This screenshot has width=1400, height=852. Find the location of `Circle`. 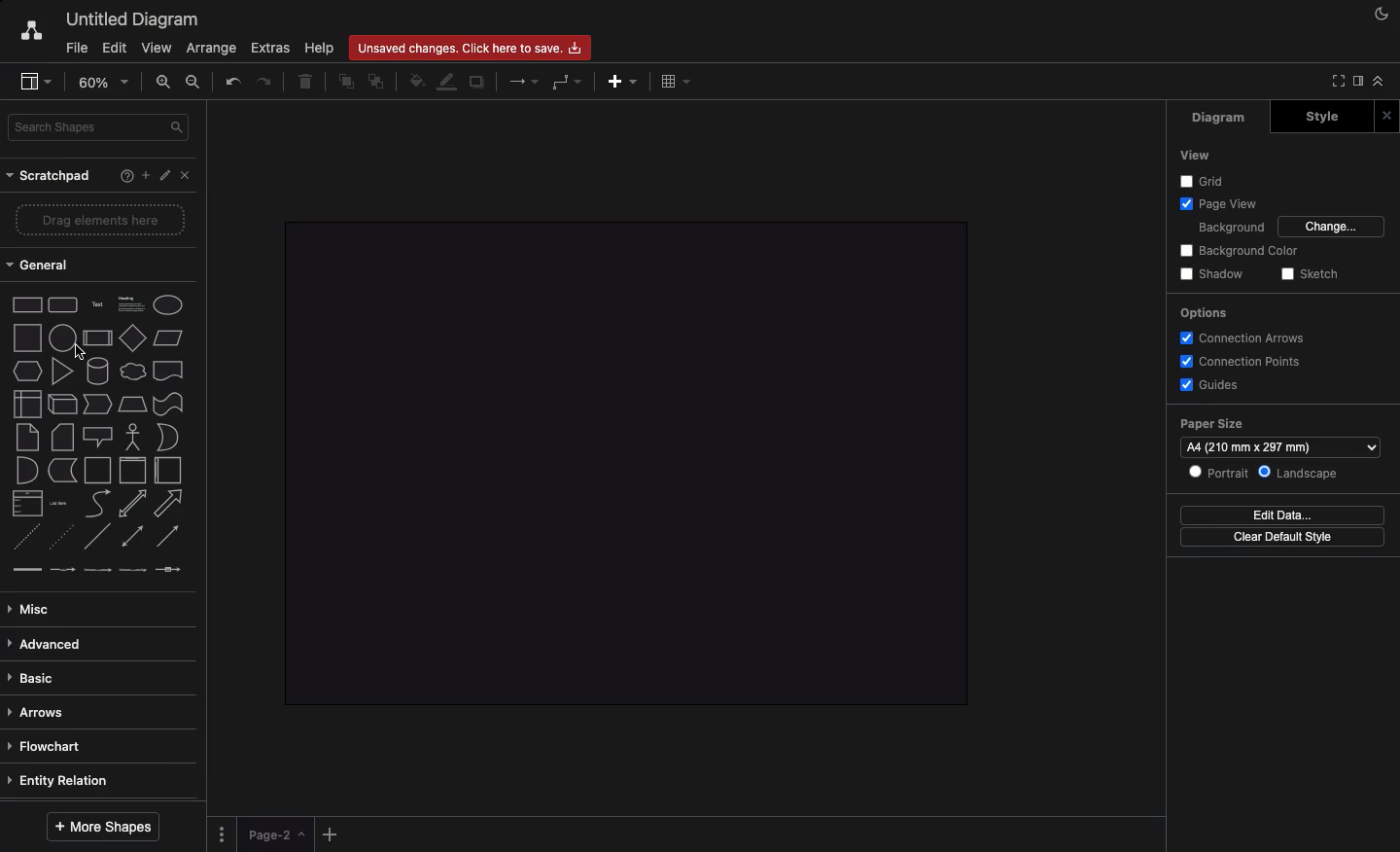

Circle is located at coordinates (65, 337).